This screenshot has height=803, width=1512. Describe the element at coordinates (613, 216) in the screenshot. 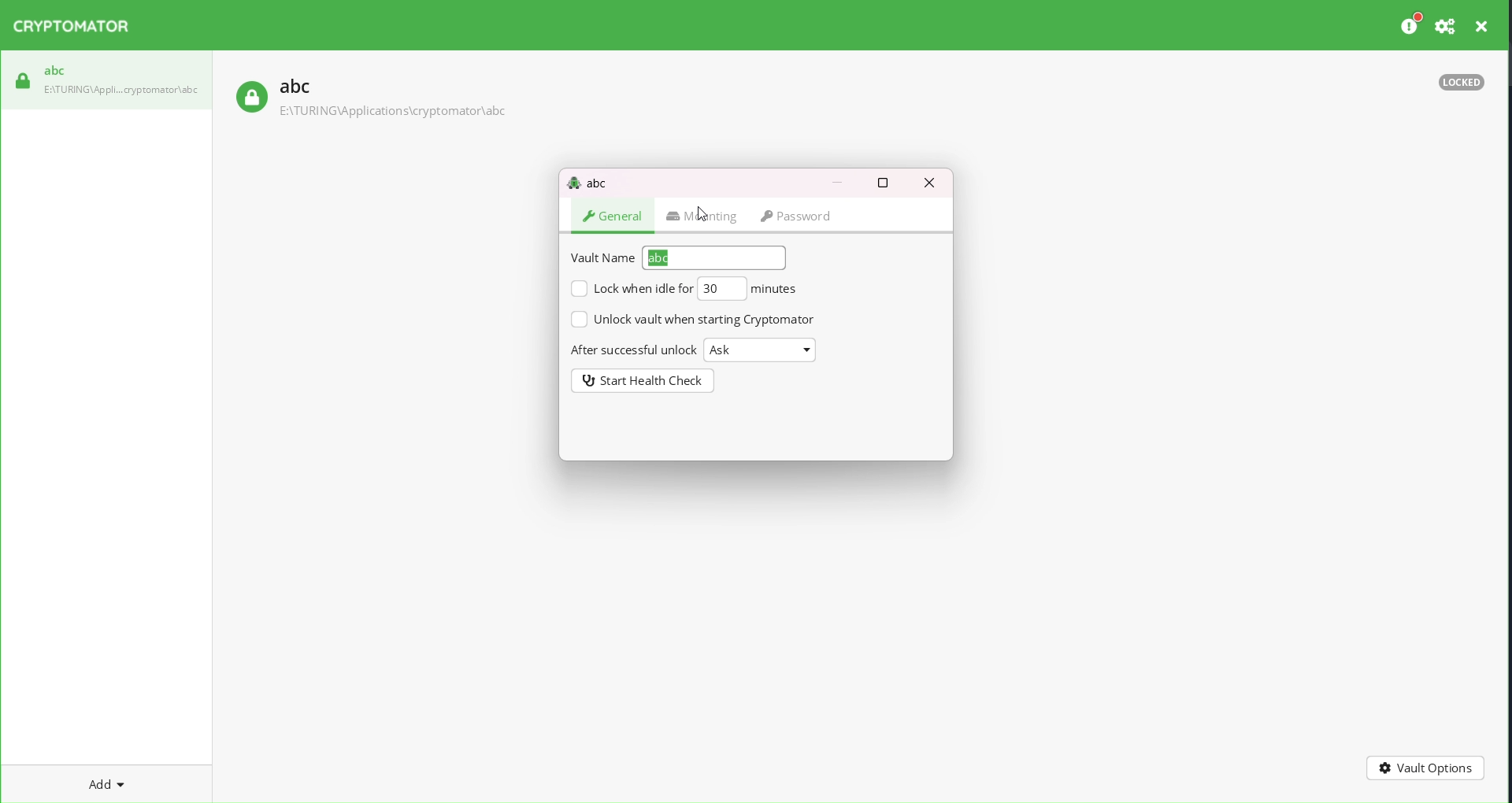

I see `general` at that location.